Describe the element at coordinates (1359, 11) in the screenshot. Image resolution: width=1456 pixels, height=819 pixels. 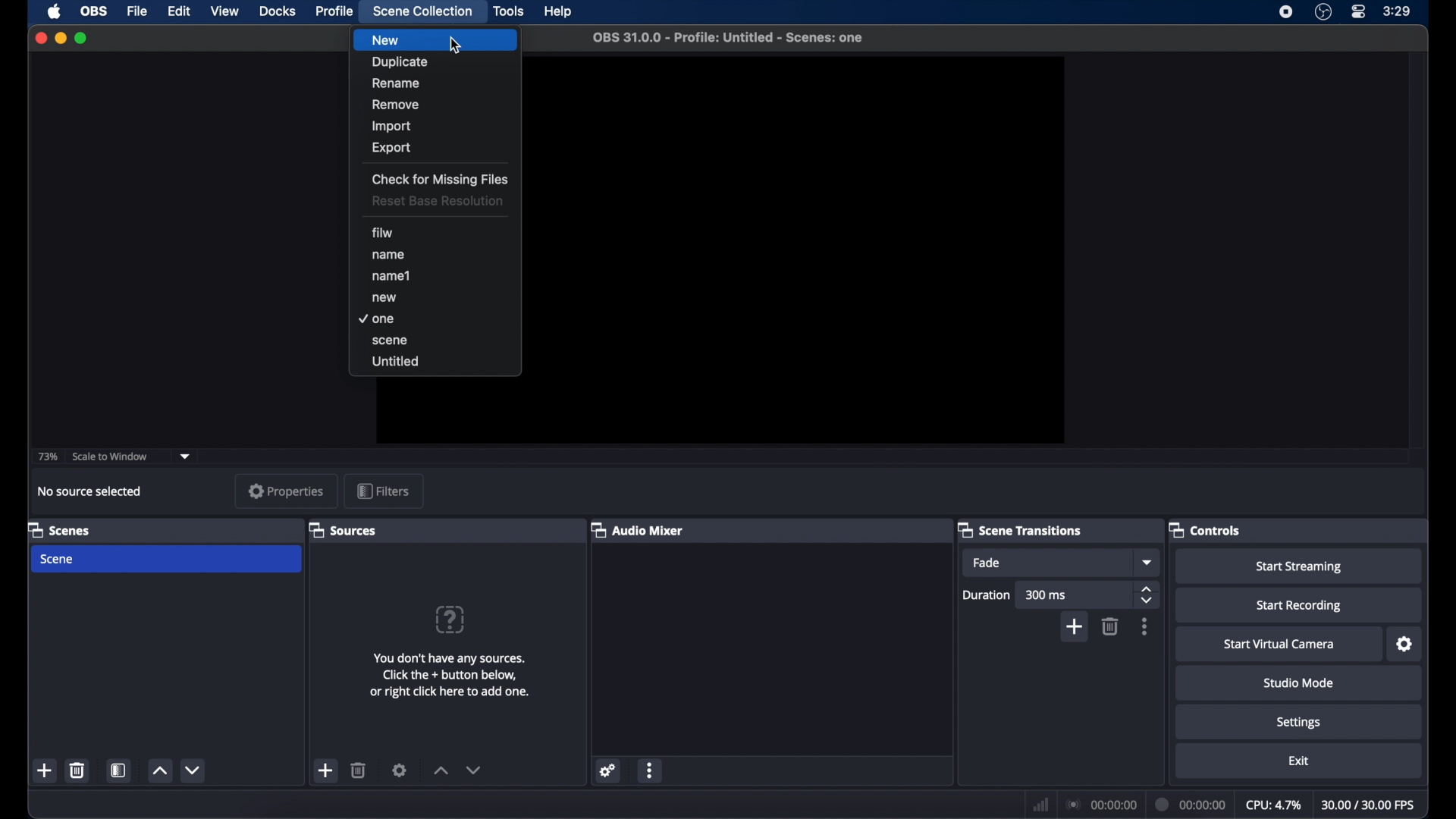
I see `control center` at that location.